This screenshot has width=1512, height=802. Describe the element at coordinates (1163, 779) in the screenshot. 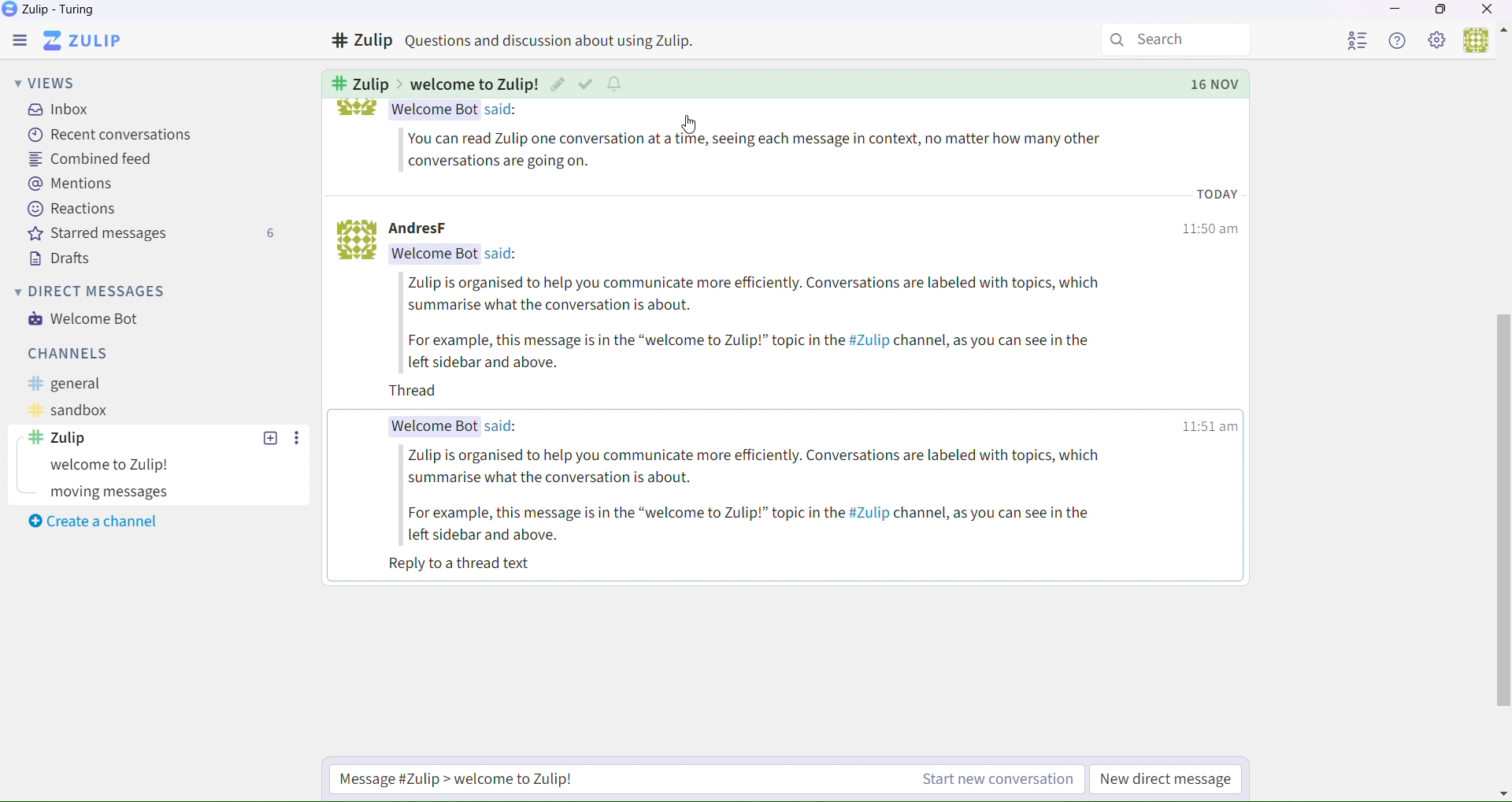

I see `New direct message` at that location.